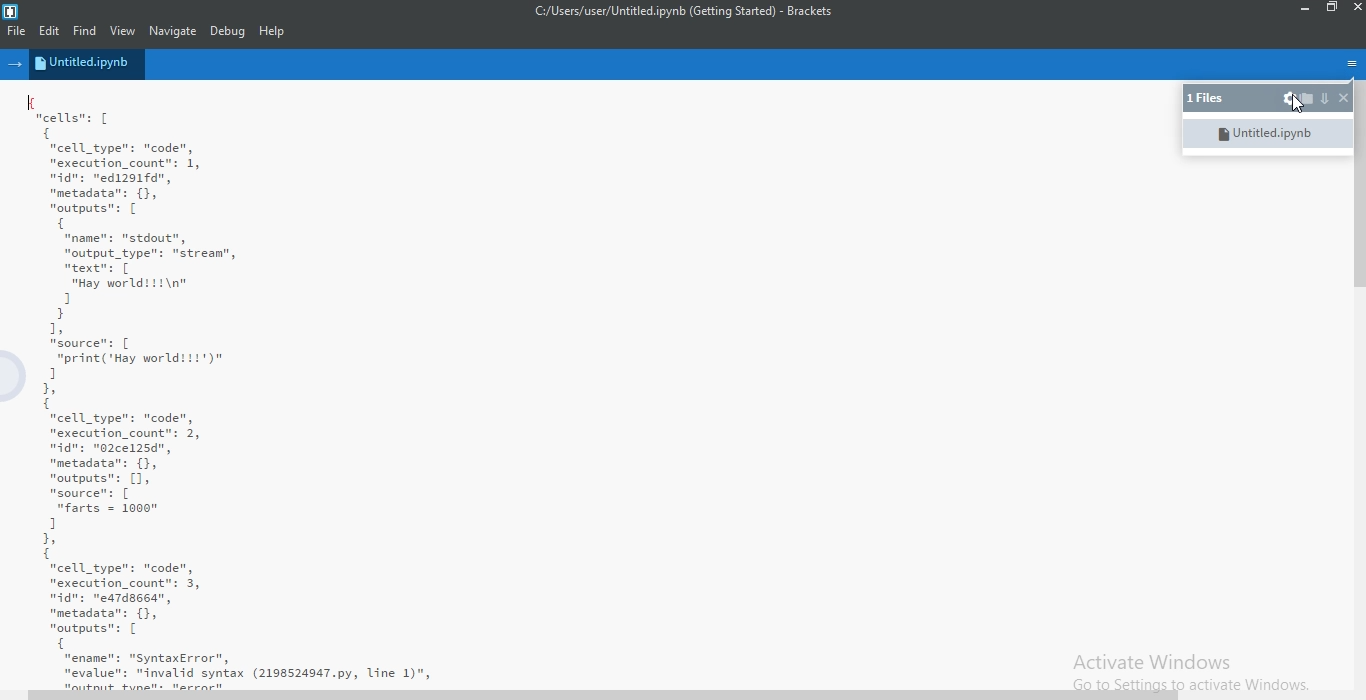 The width and height of the screenshot is (1366, 700). Describe the element at coordinates (1342, 98) in the screenshot. I see `close` at that location.